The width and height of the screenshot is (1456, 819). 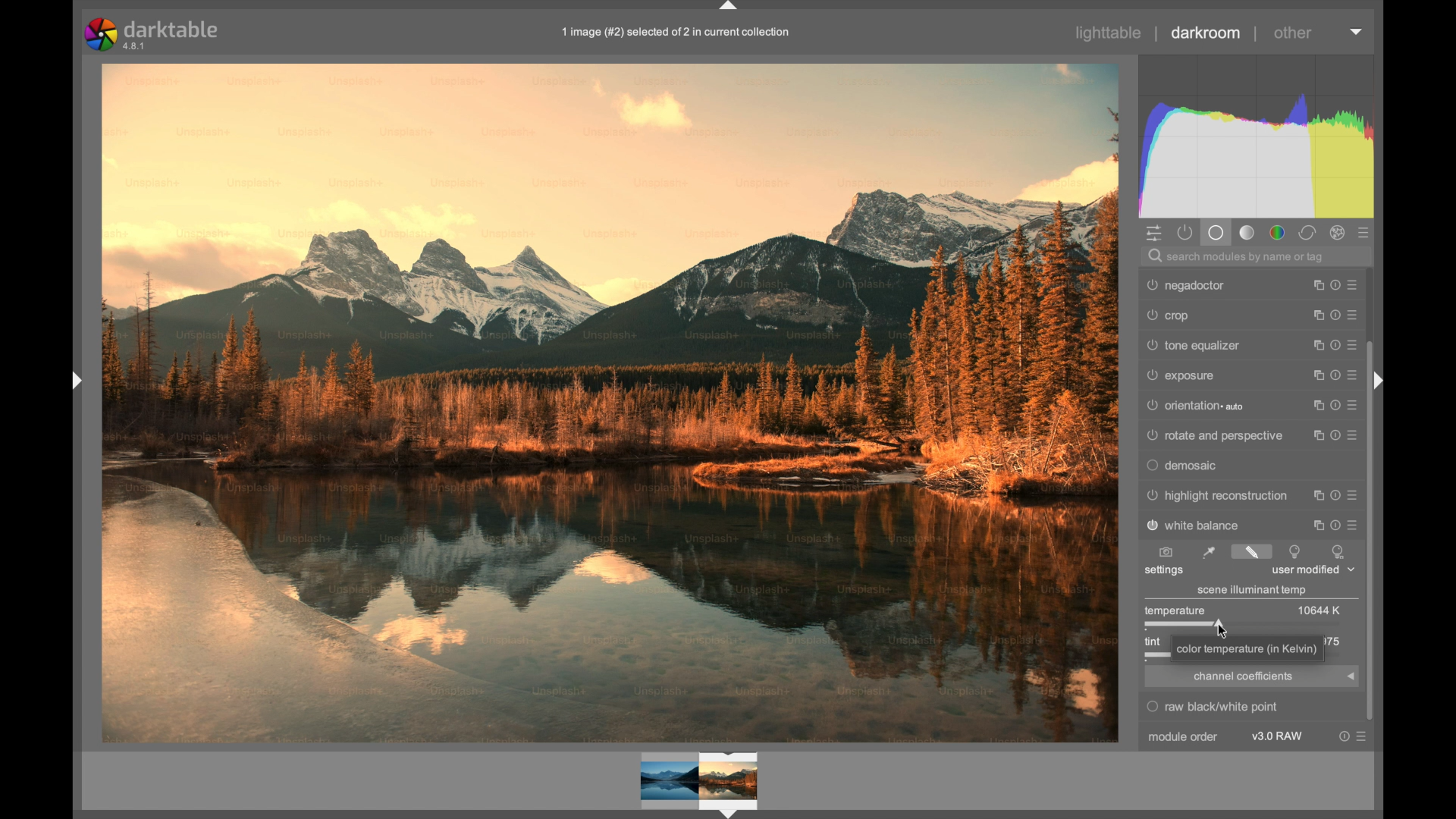 What do you see at coordinates (1344, 736) in the screenshot?
I see `reset parameter` at bounding box center [1344, 736].